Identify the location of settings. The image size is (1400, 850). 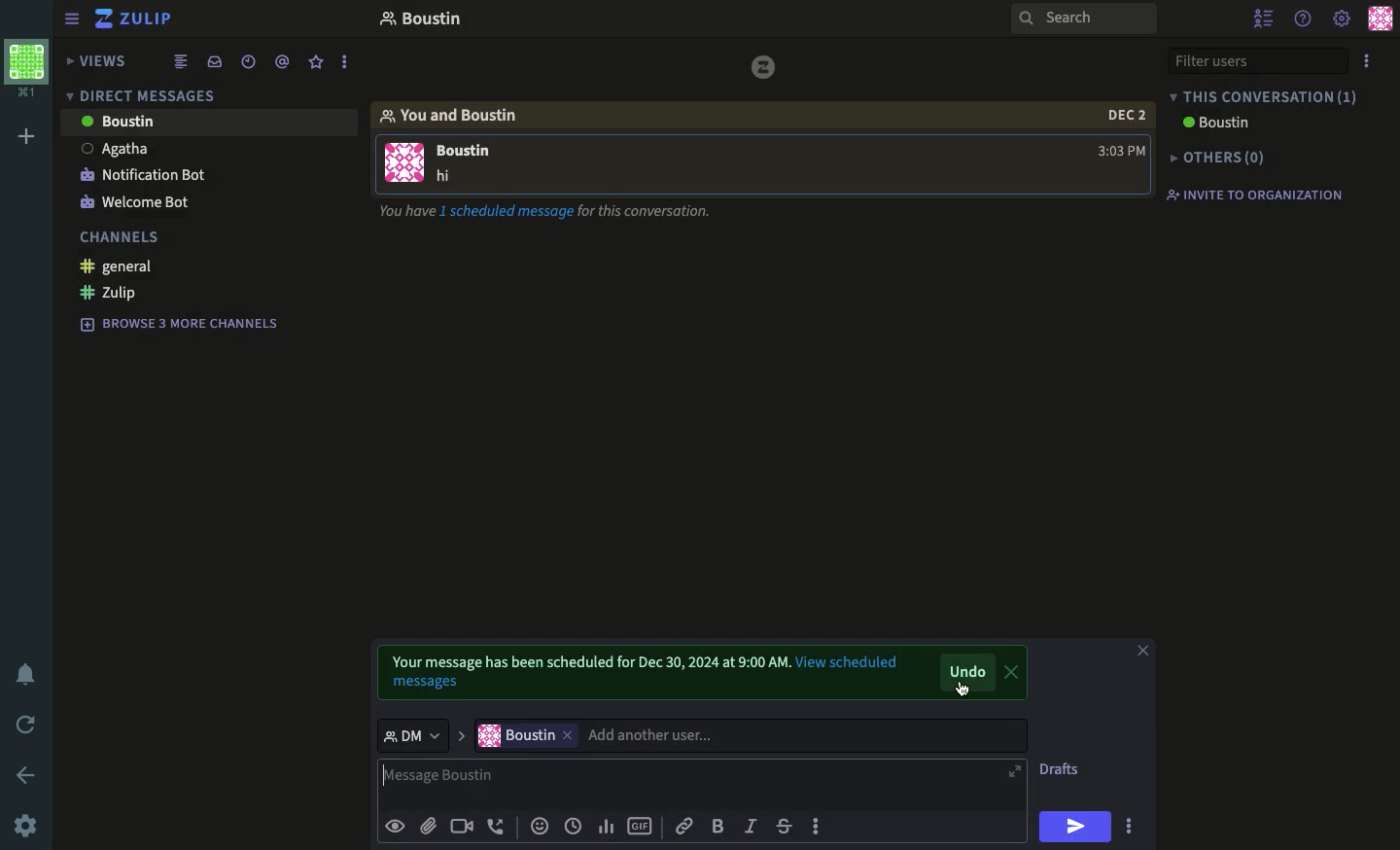
(25, 826).